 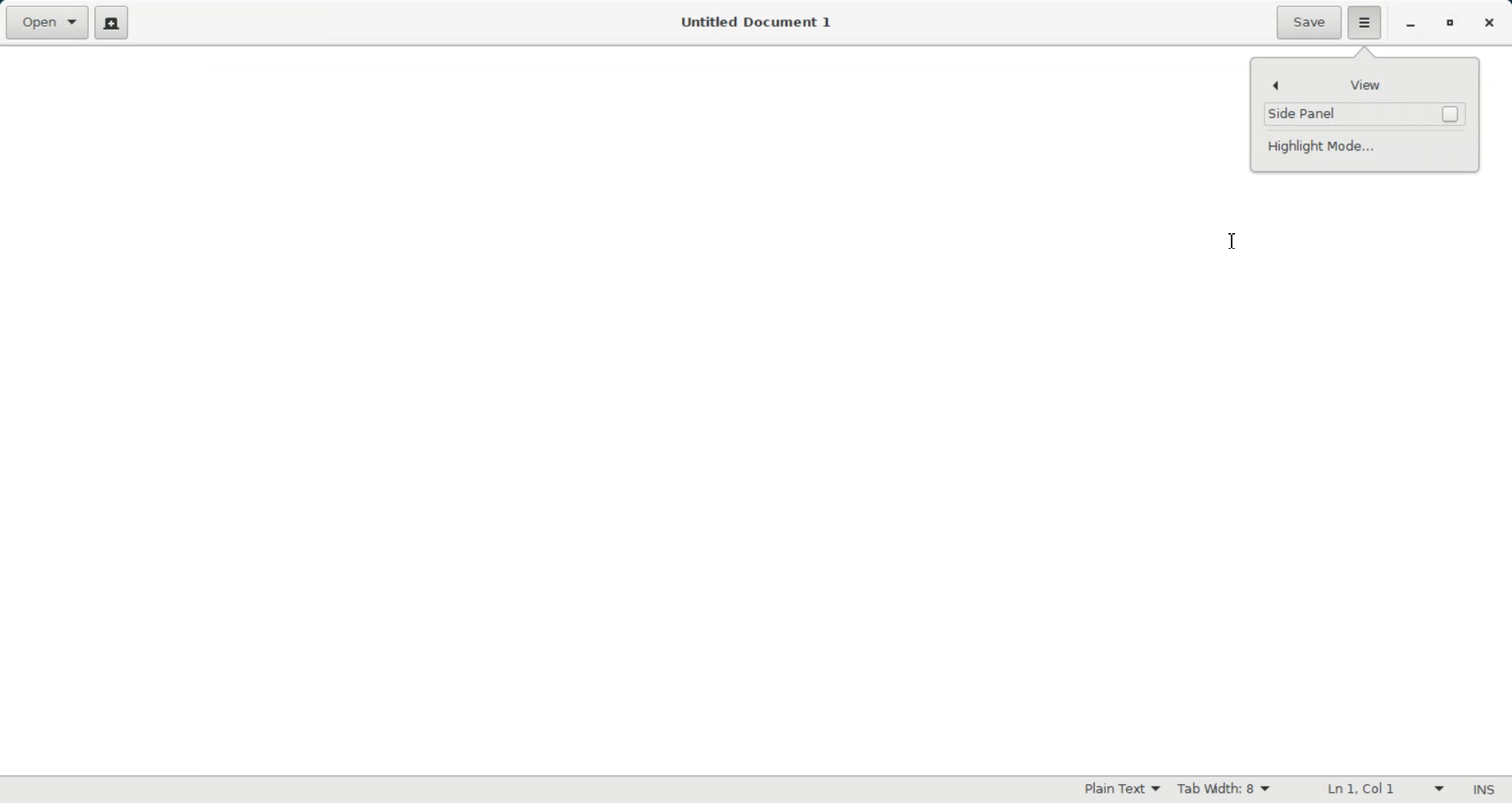 What do you see at coordinates (44, 20) in the screenshot?
I see `Open a file` at bounding box center [44, 20].